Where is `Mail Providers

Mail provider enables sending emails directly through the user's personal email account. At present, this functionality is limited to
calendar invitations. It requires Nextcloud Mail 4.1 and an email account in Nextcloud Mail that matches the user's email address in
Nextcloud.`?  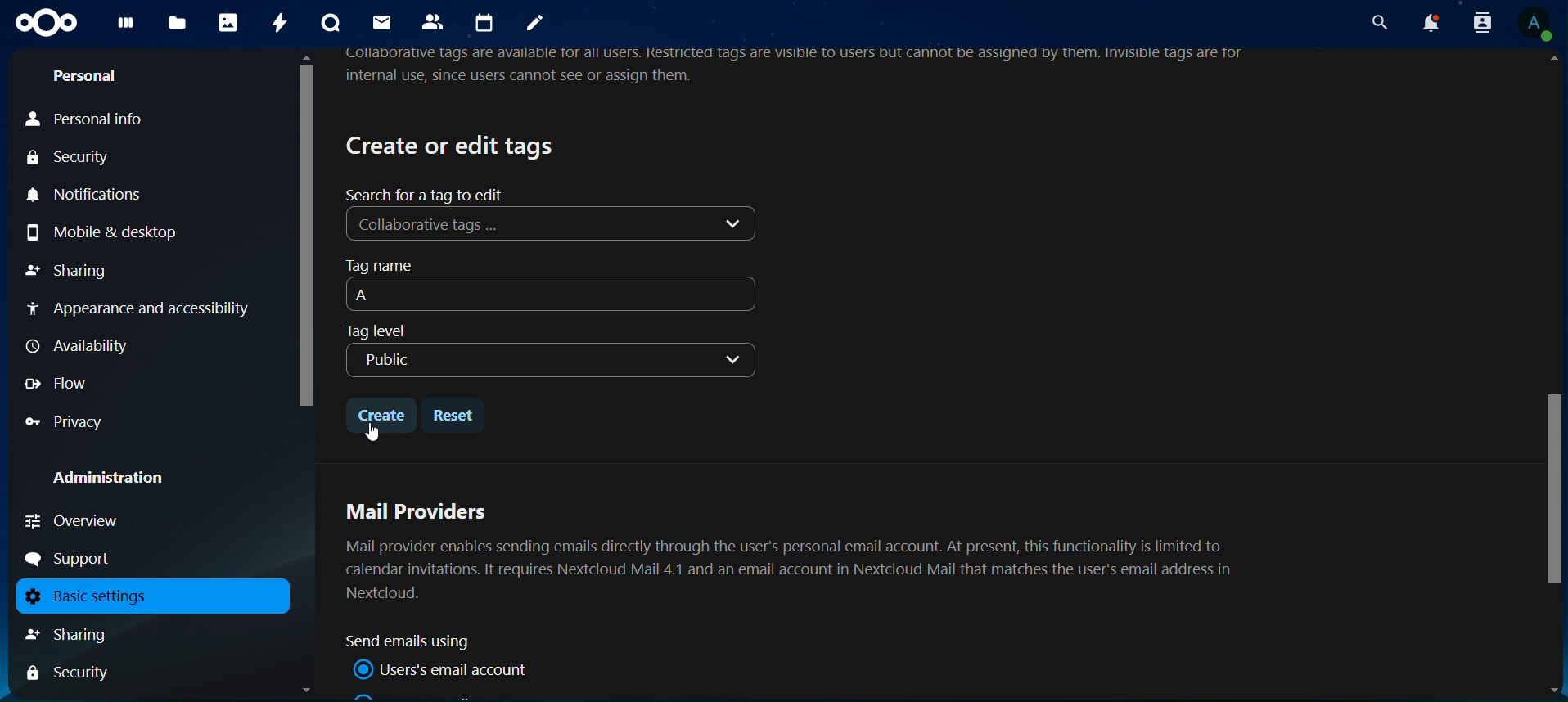 Mail Providers

Mail provider enables sending emails directly through the user's personal email account. At present, this functionality is limited to
calendar invitations. It requires Nextcloud Mail 4.1 and an email account in Nextcloud Mail that matches the user's email address in
Nextcloud. is located at coordinates (795, 549).